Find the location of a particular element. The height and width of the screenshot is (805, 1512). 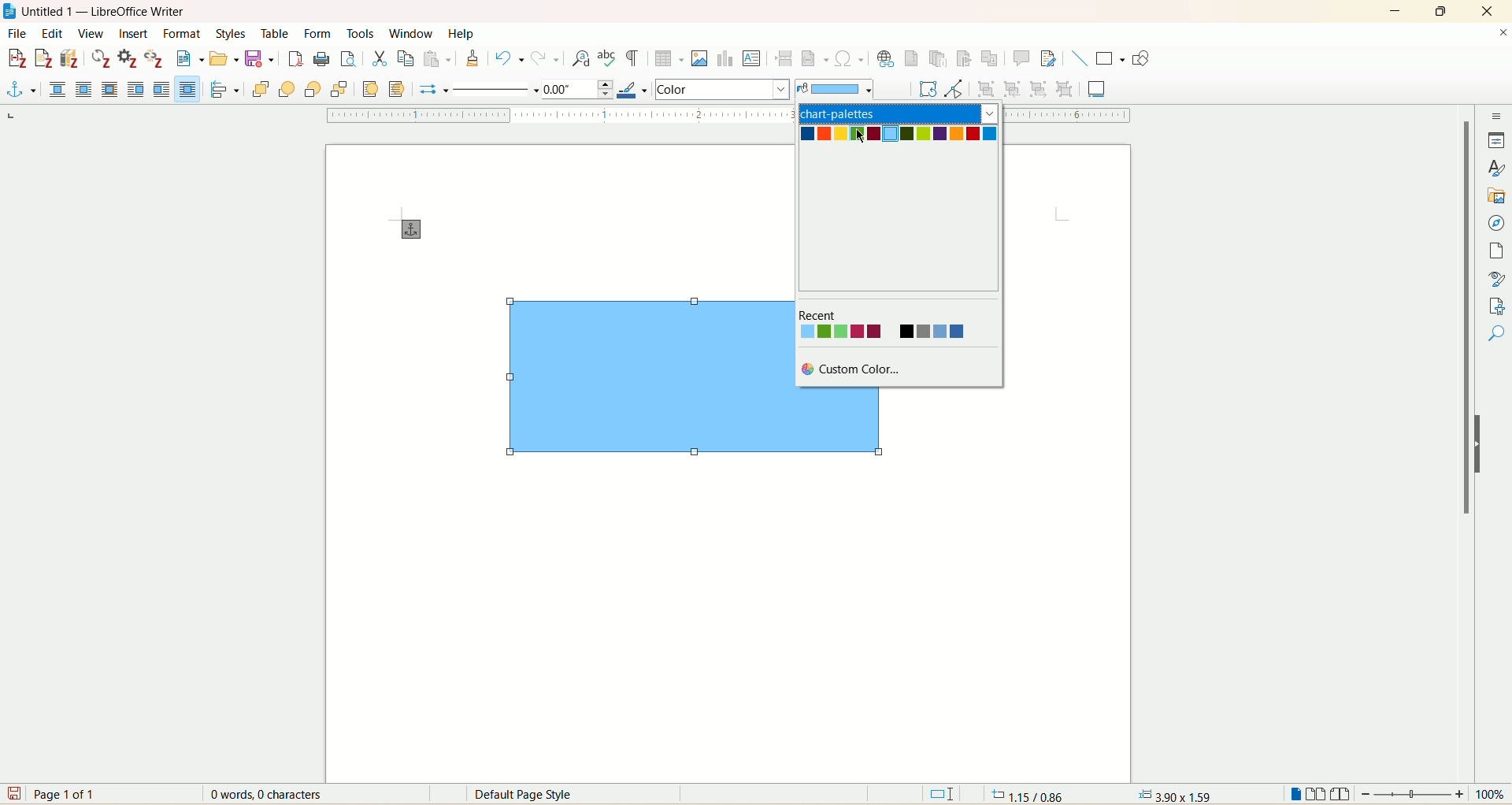

formatting is located at coordinates (472, 58).